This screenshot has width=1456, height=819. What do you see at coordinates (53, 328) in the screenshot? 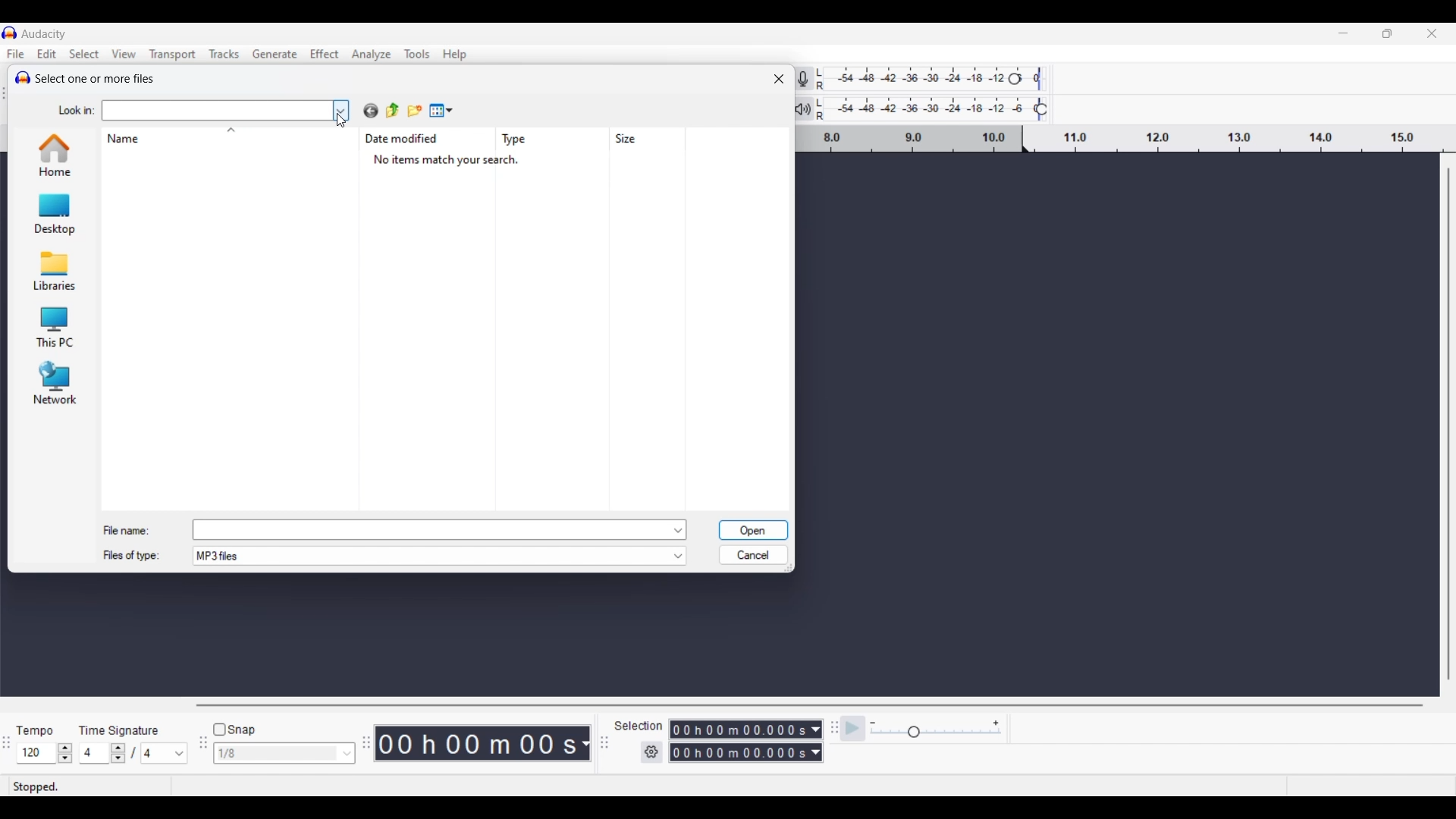
I see `Tis PC folder` at bounding box center [53, 328].